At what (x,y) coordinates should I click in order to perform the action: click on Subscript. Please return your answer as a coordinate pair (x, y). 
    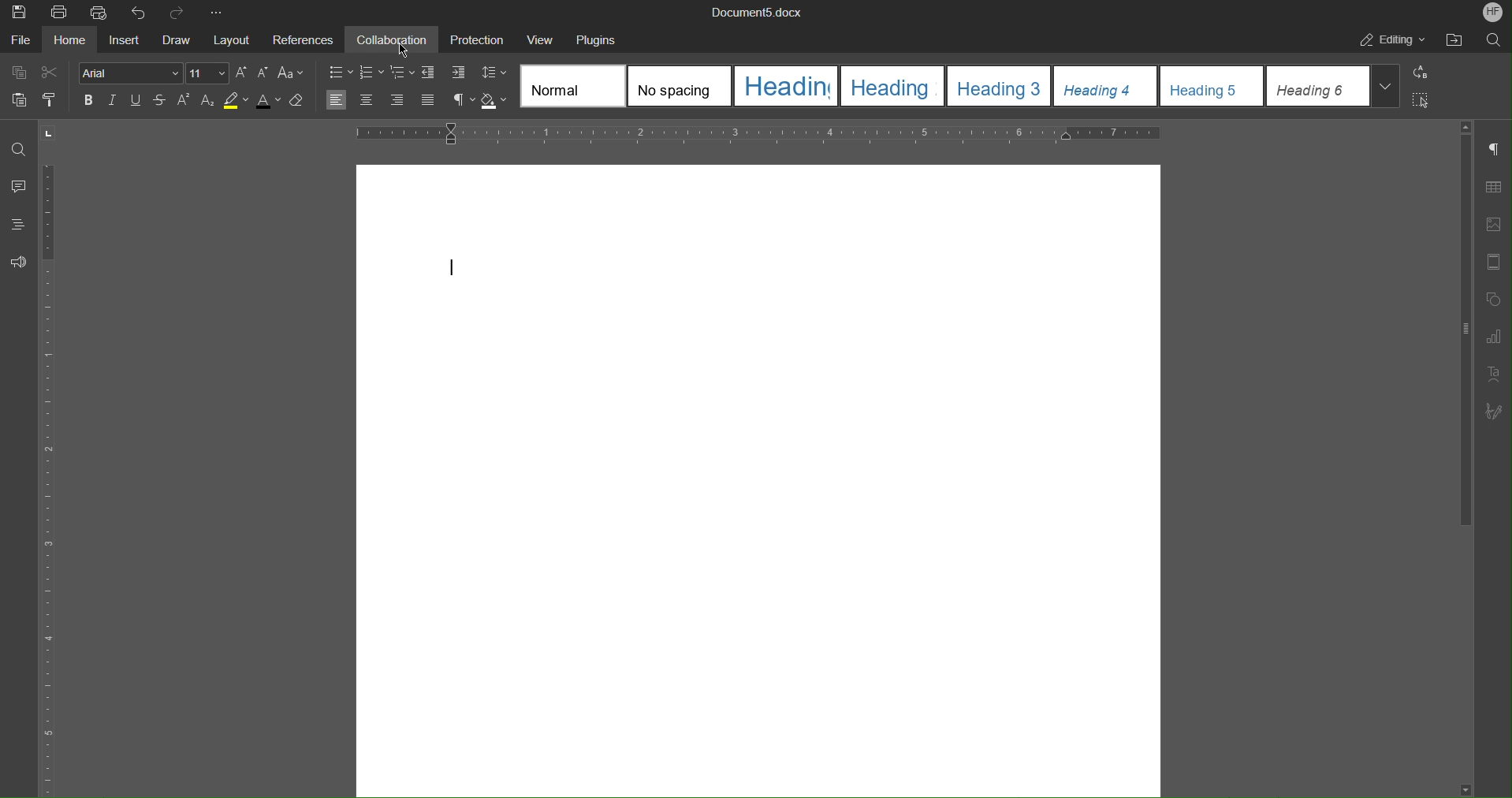
    Looking at the image, I should click on (211, 105).